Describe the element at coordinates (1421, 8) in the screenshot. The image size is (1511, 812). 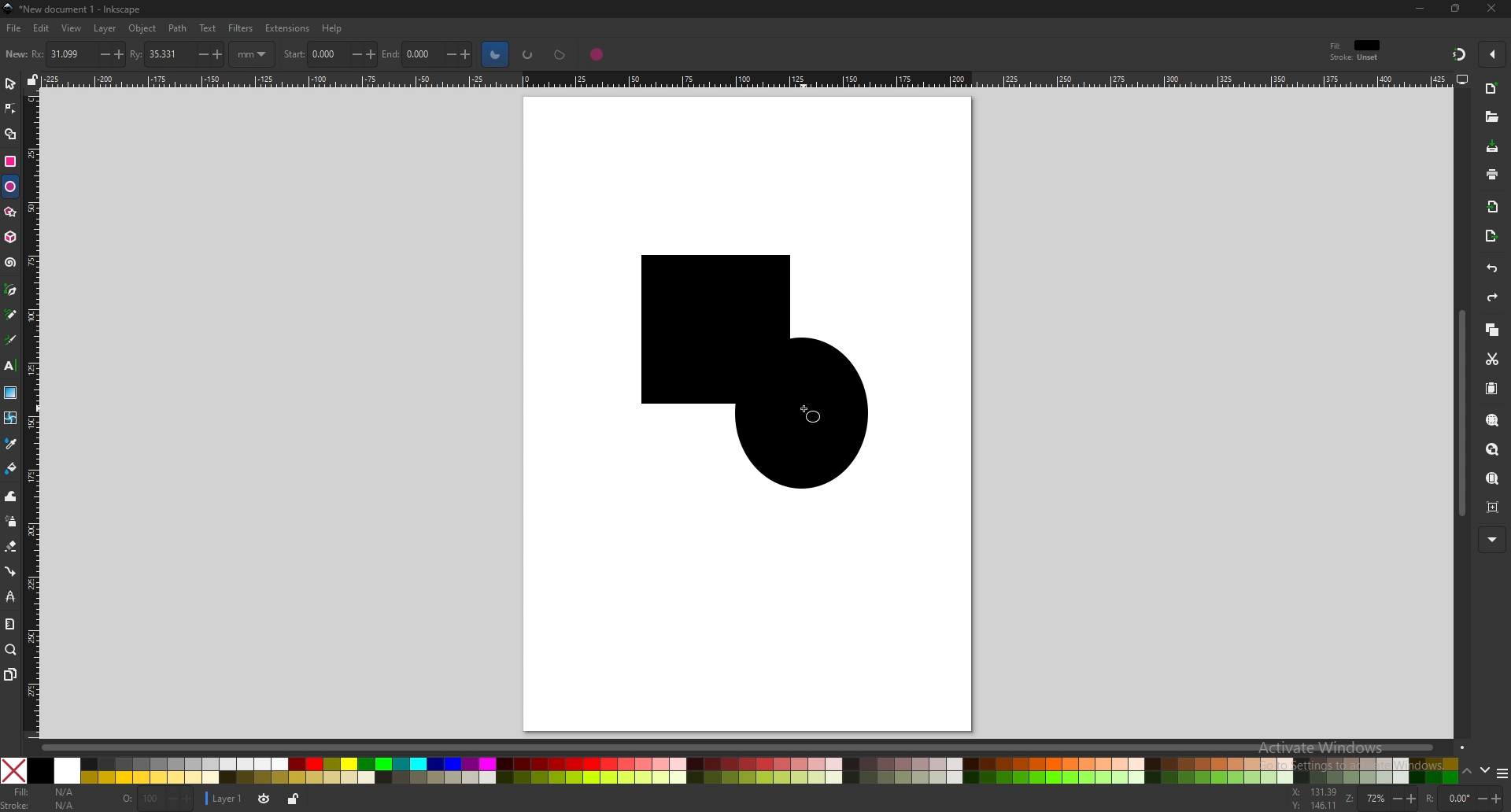
I see `minimize` at that location.